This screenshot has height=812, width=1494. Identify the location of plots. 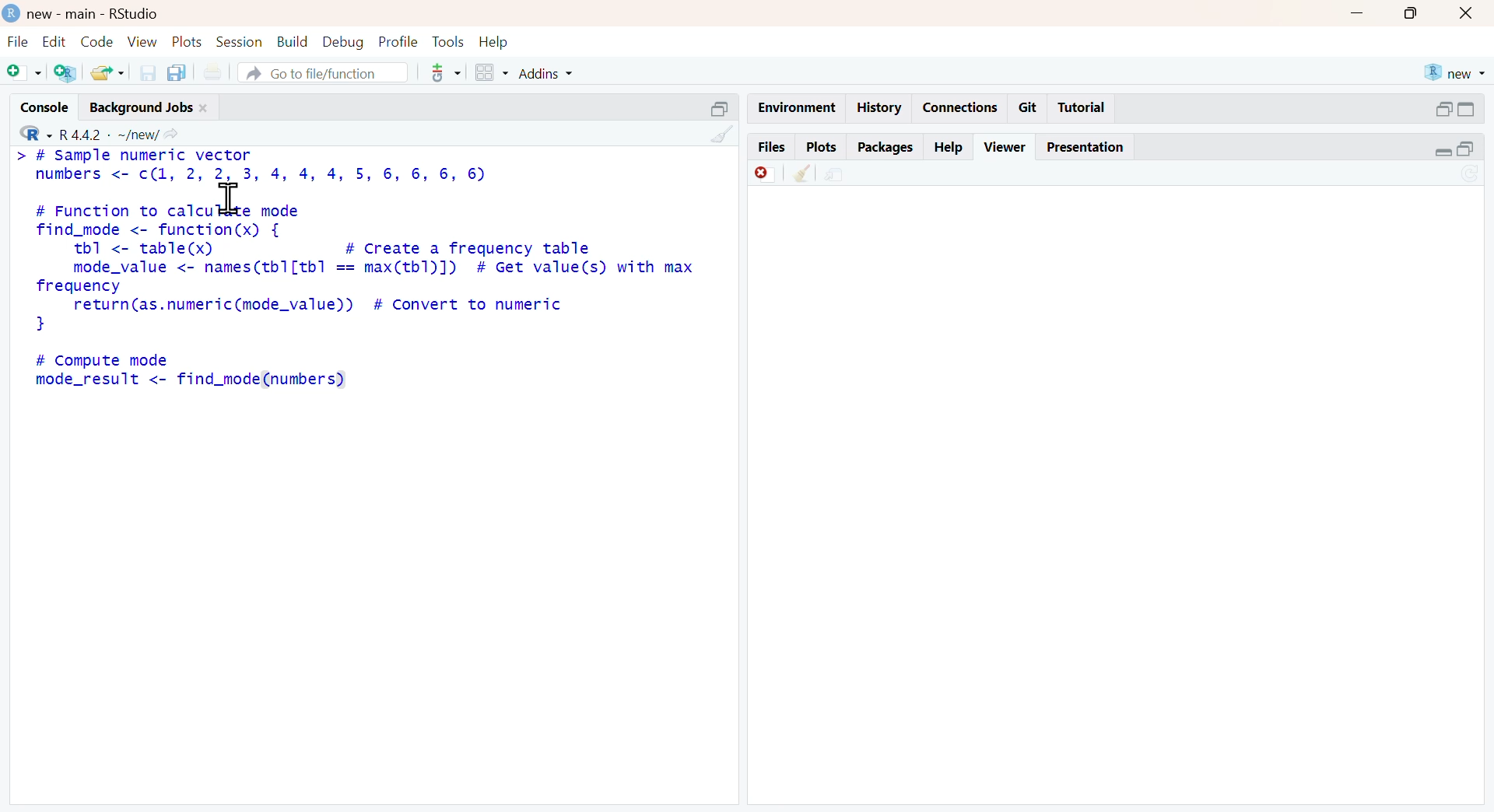
(821, 147).